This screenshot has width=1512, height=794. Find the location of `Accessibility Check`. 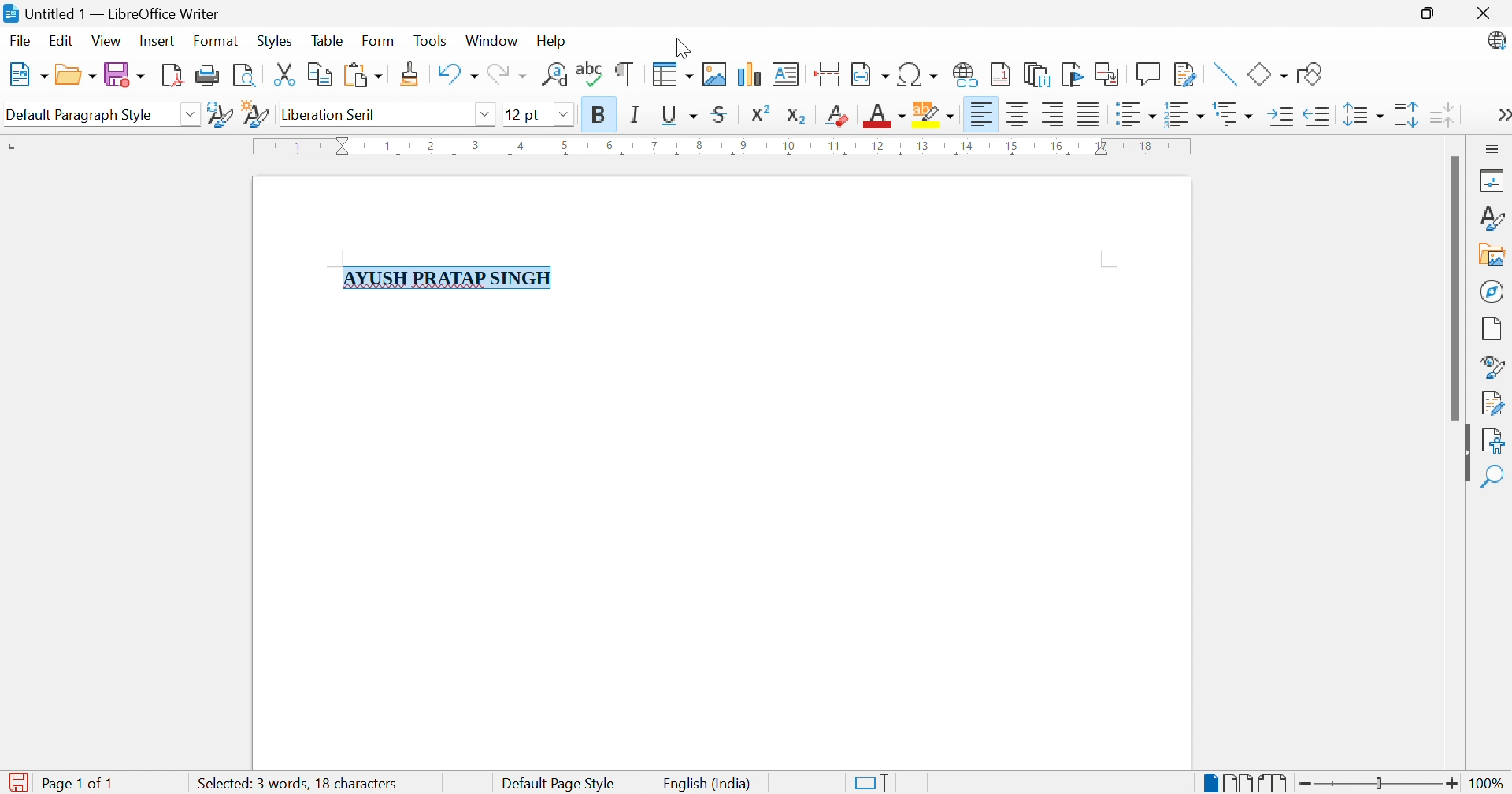

Accessibility Check is located at coordinates (1496, 440).